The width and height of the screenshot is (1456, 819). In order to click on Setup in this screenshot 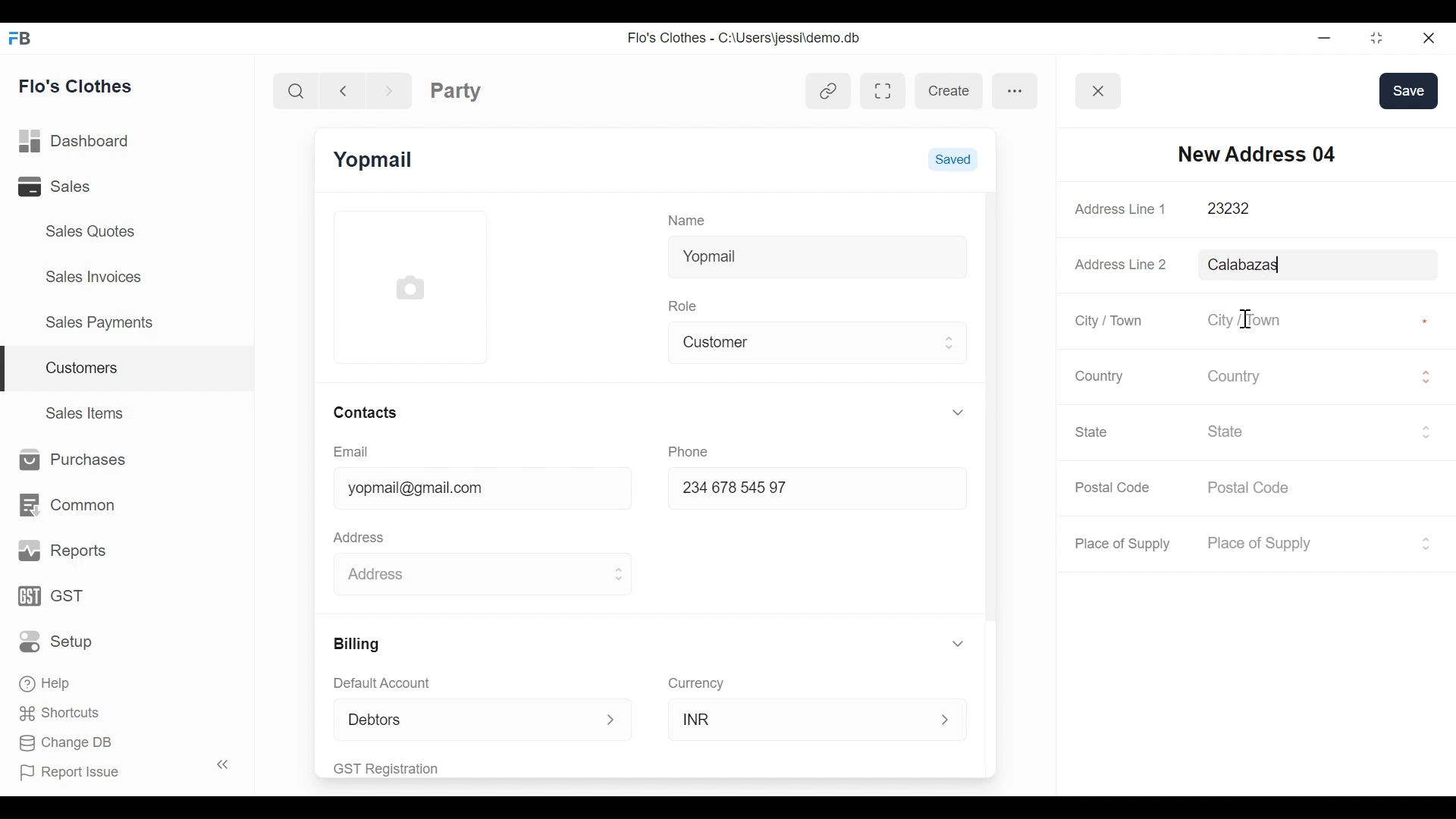, I will do `click(60, 641)`.